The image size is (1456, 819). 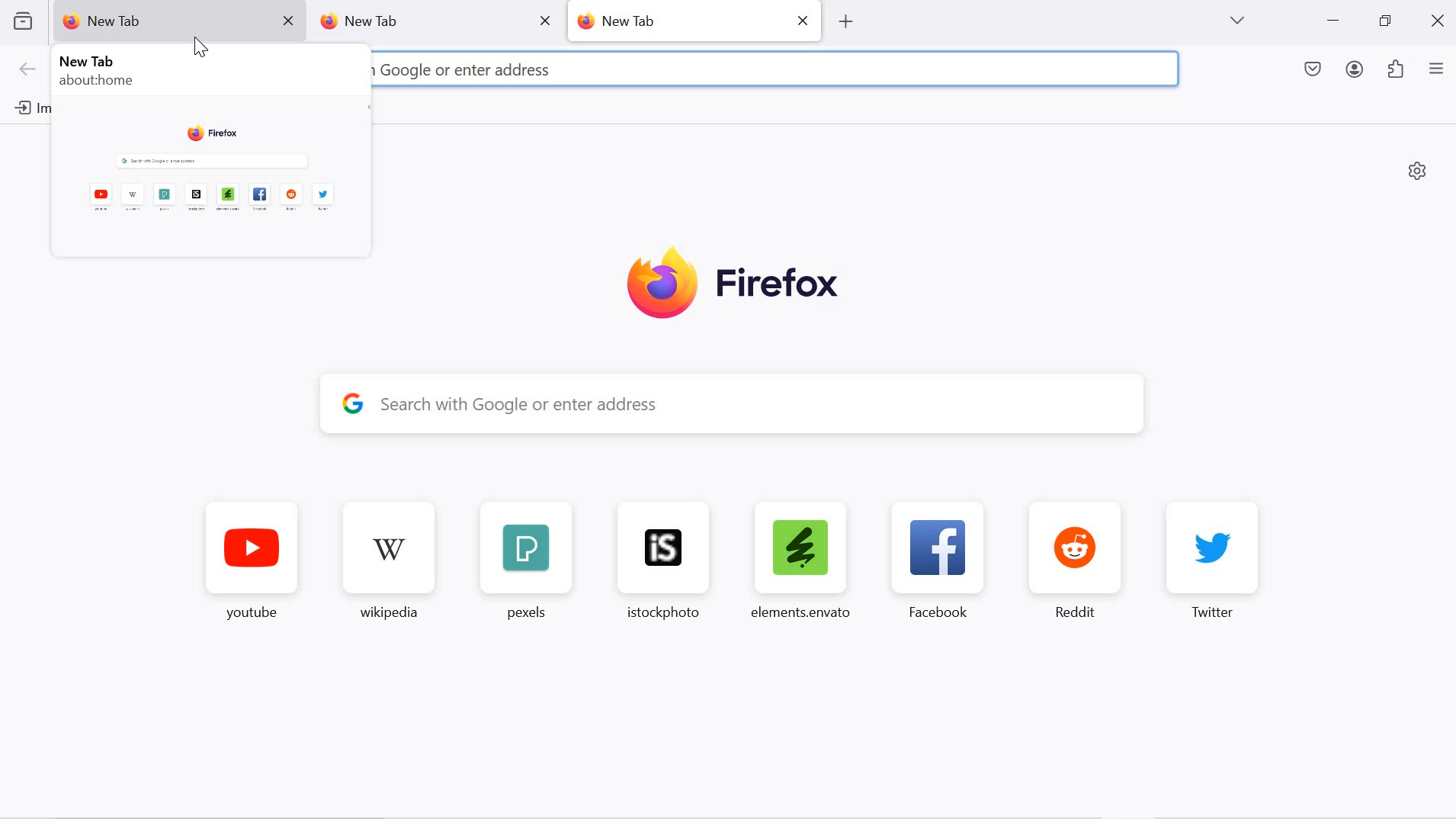 I want to click on facebook favorite, so click(x=943, y=560).